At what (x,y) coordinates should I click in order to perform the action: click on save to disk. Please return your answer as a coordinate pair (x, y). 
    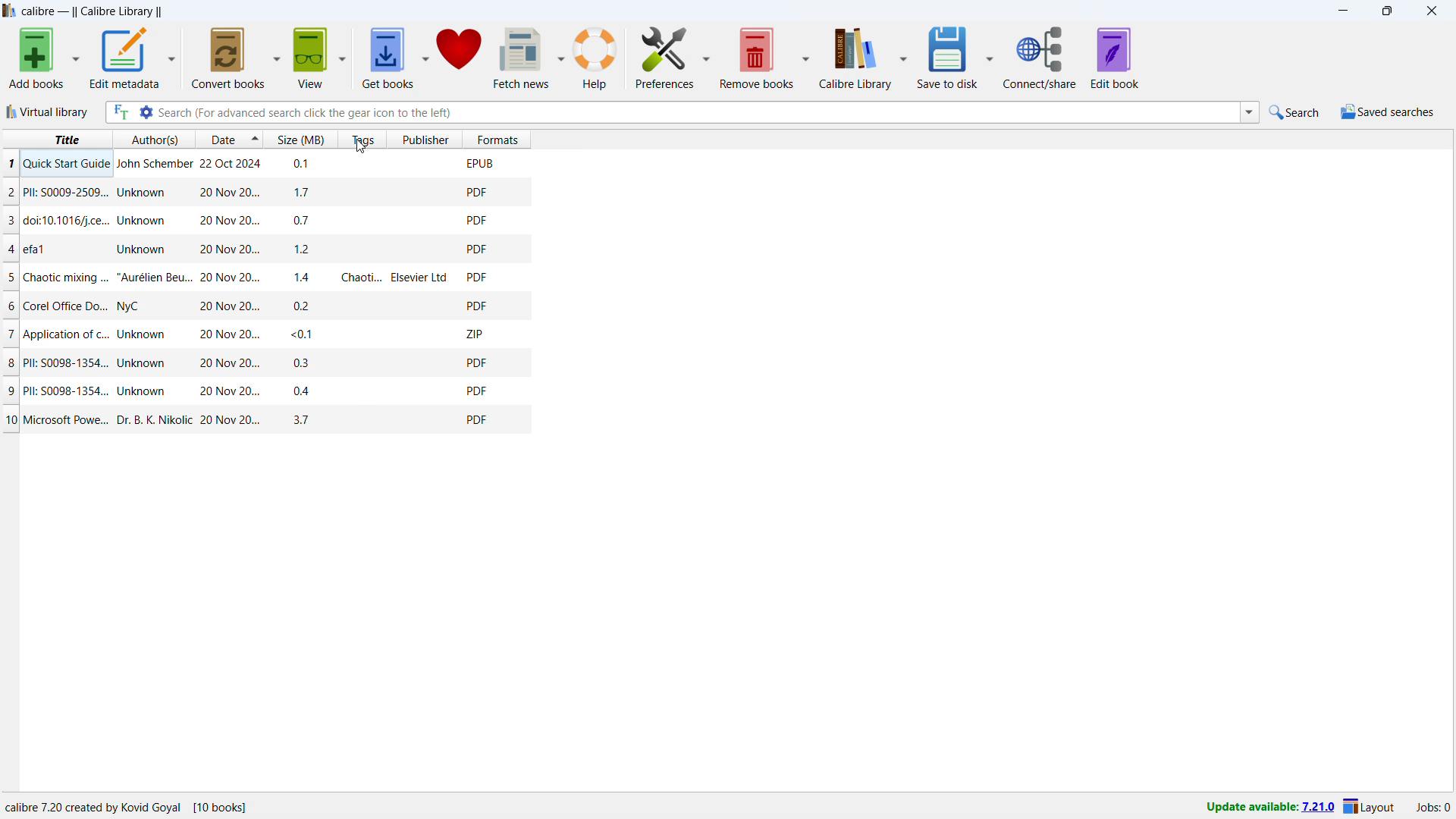
    Looking at the image, I should click on (948, 57).